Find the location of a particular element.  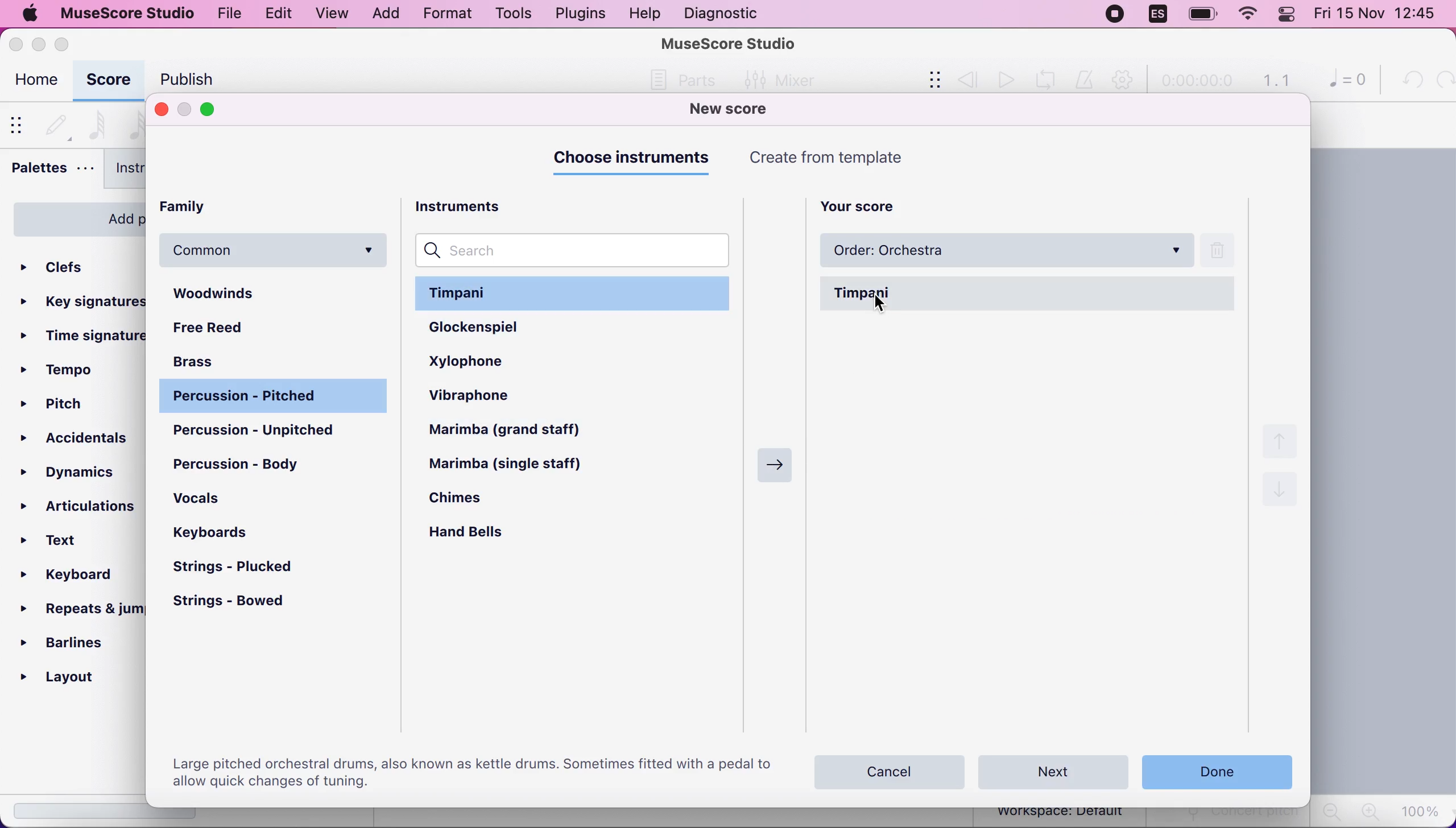

plugins is located at coordinates (579, 14).